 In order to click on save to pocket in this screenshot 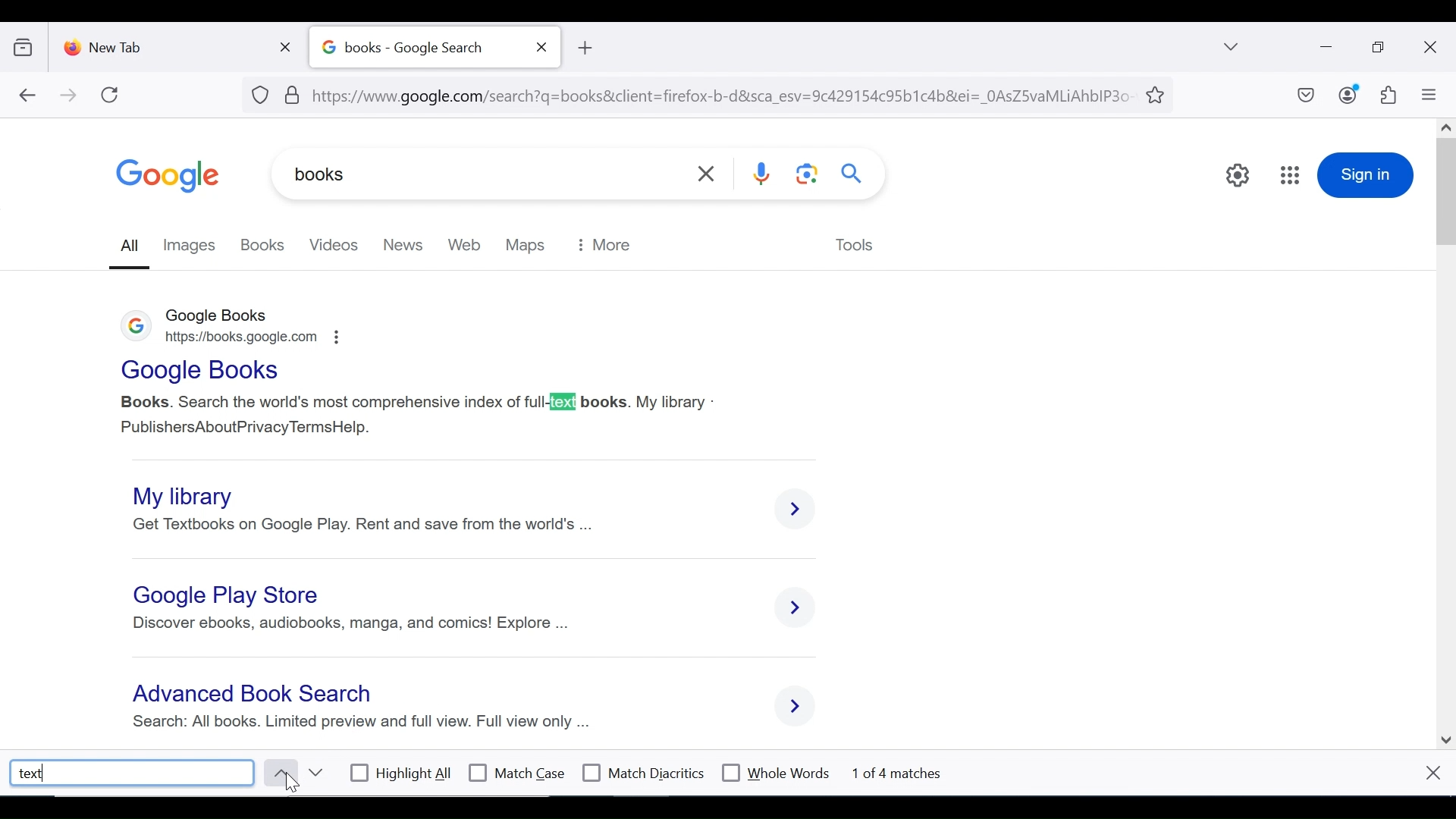, I will do `click(1304, 96)`.